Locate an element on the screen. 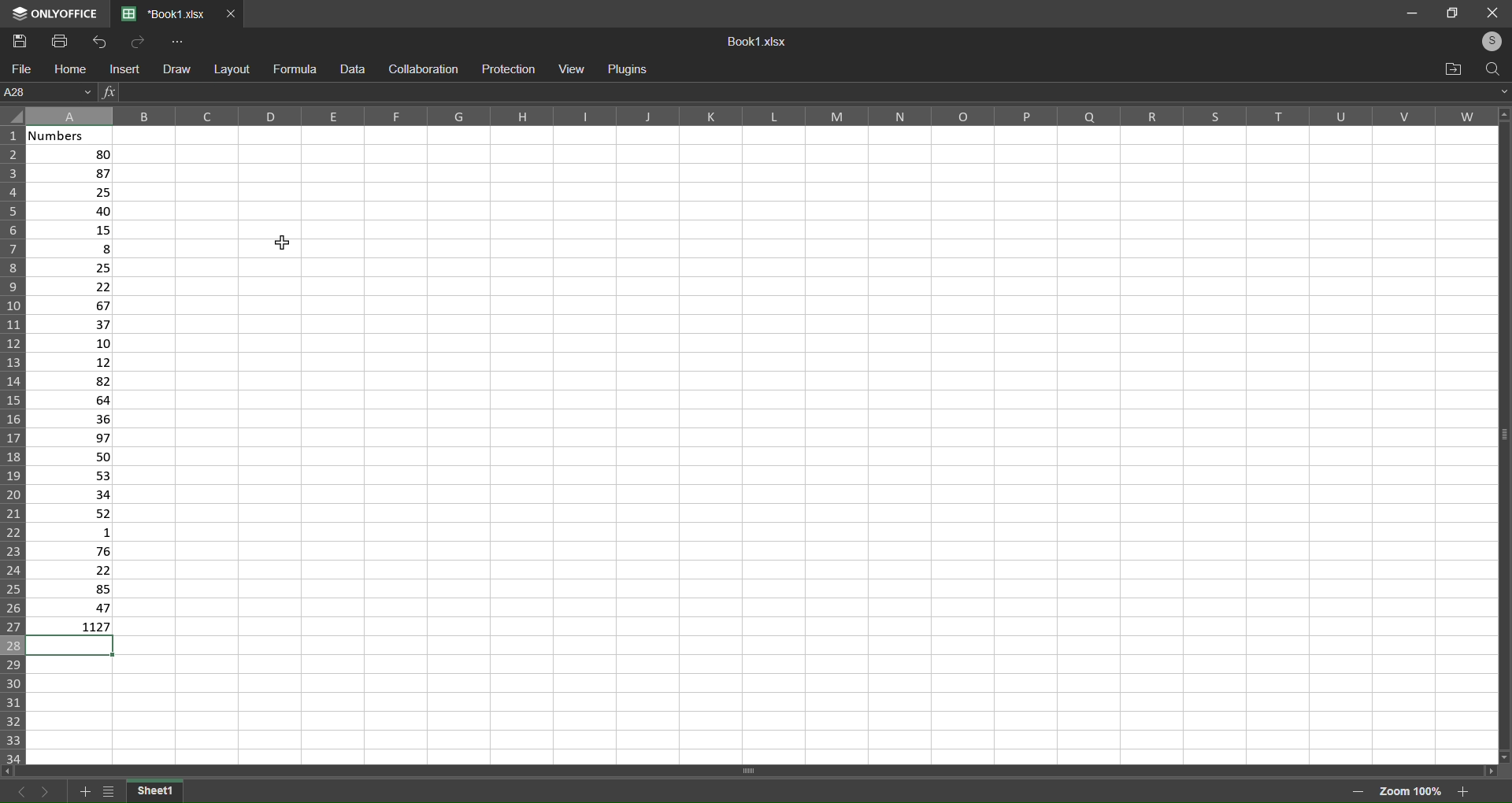 Image resolution: width=1512 pixels, height=803 pixels. move left is located at coordinates (13, 769).